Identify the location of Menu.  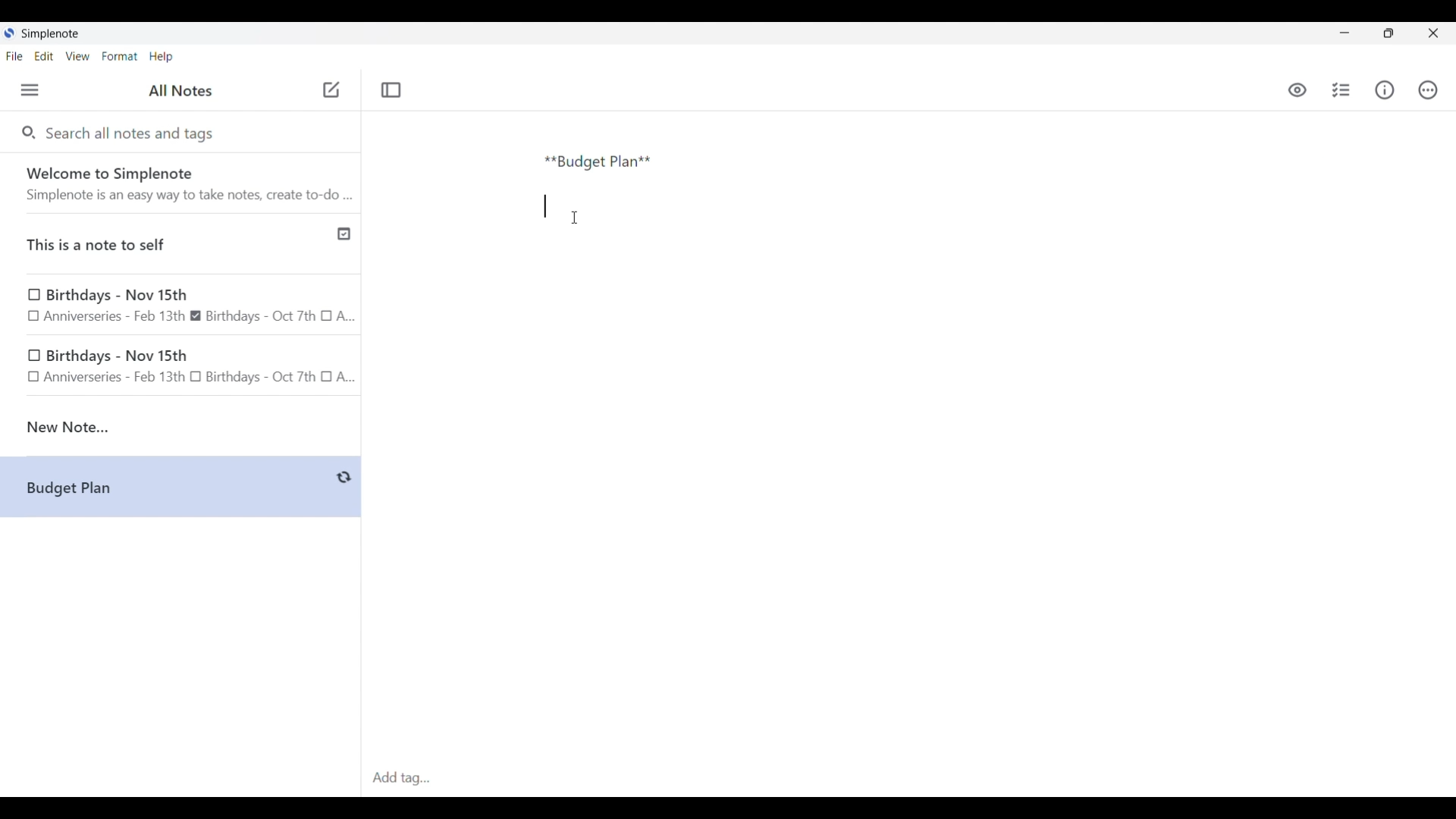
(30, 89).